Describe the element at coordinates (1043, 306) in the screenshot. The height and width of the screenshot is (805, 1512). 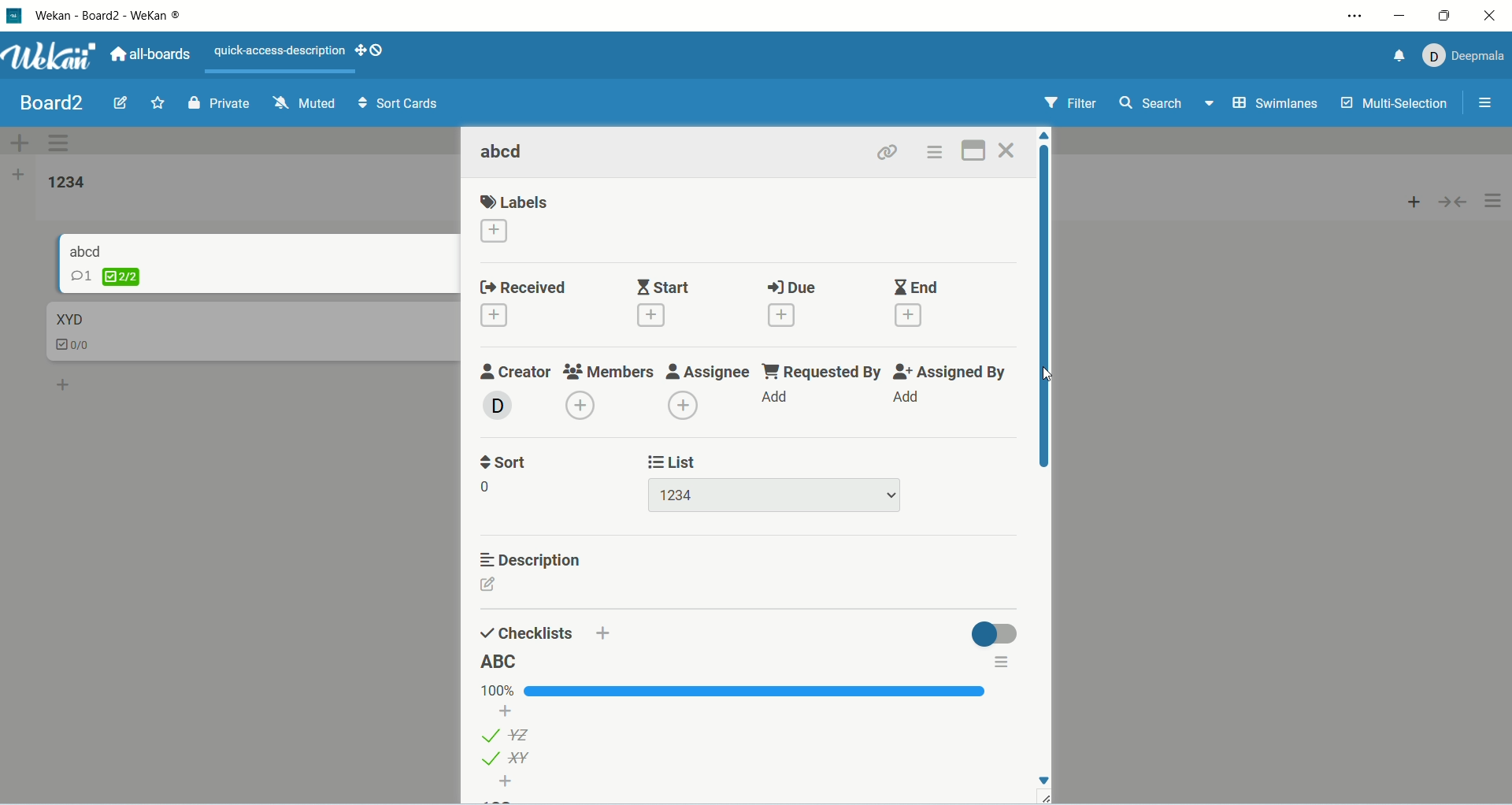
I see `vertical scroll bar` at that location.